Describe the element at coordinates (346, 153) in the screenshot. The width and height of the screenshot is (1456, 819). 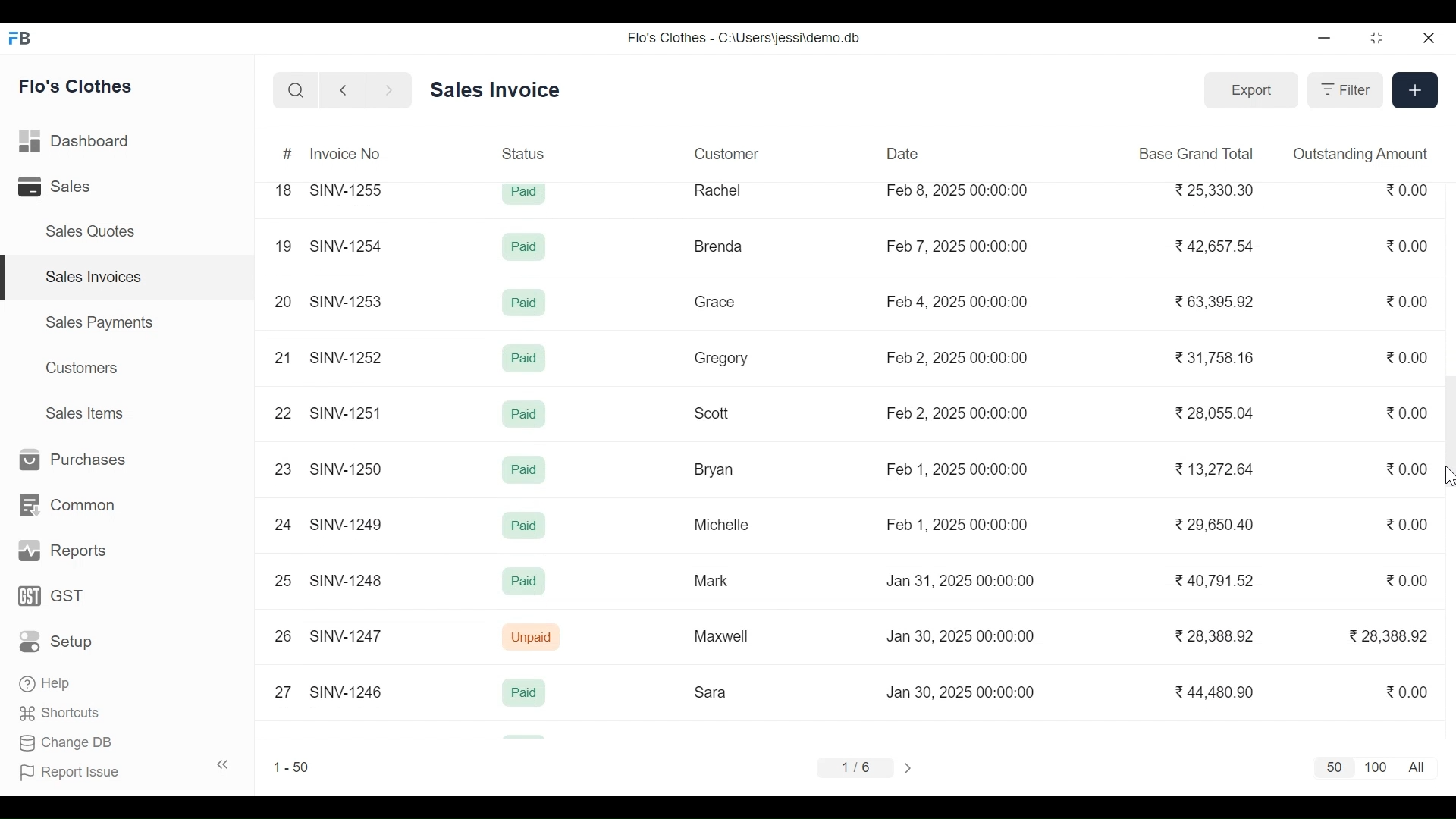
I see `Invoice No` at that location.